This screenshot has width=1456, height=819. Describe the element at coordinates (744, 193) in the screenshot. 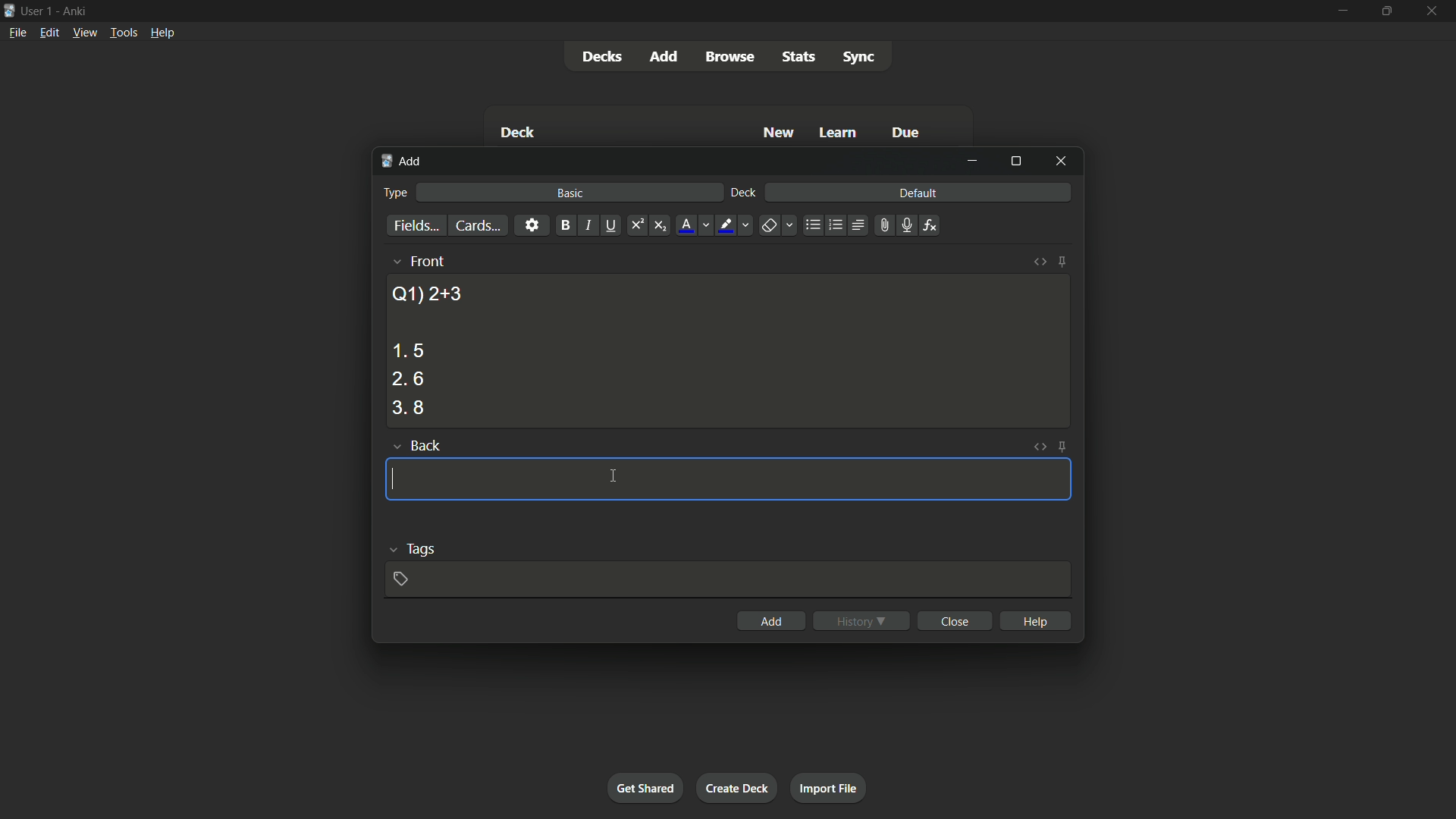

I see `deck` at that location.